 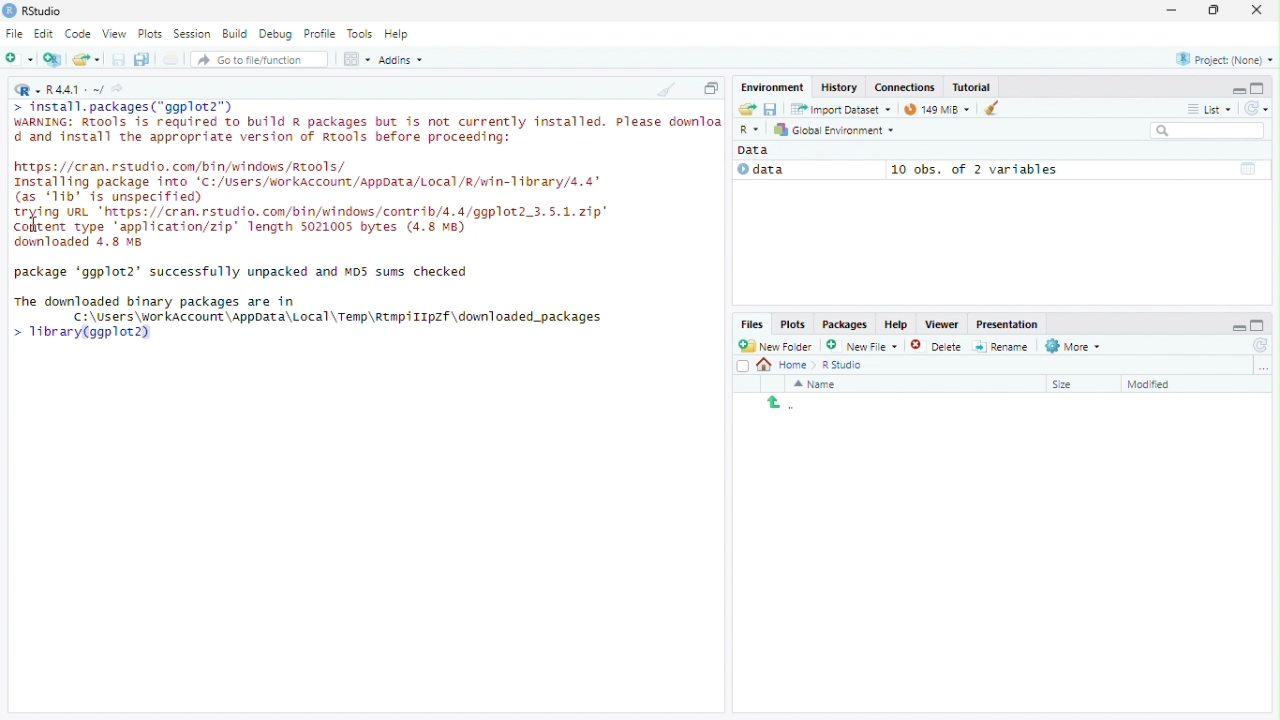 What do you see at coordinates (1077, 383) in the screenshot?
I see `Sort by size` at bounding box center [1077, 383].